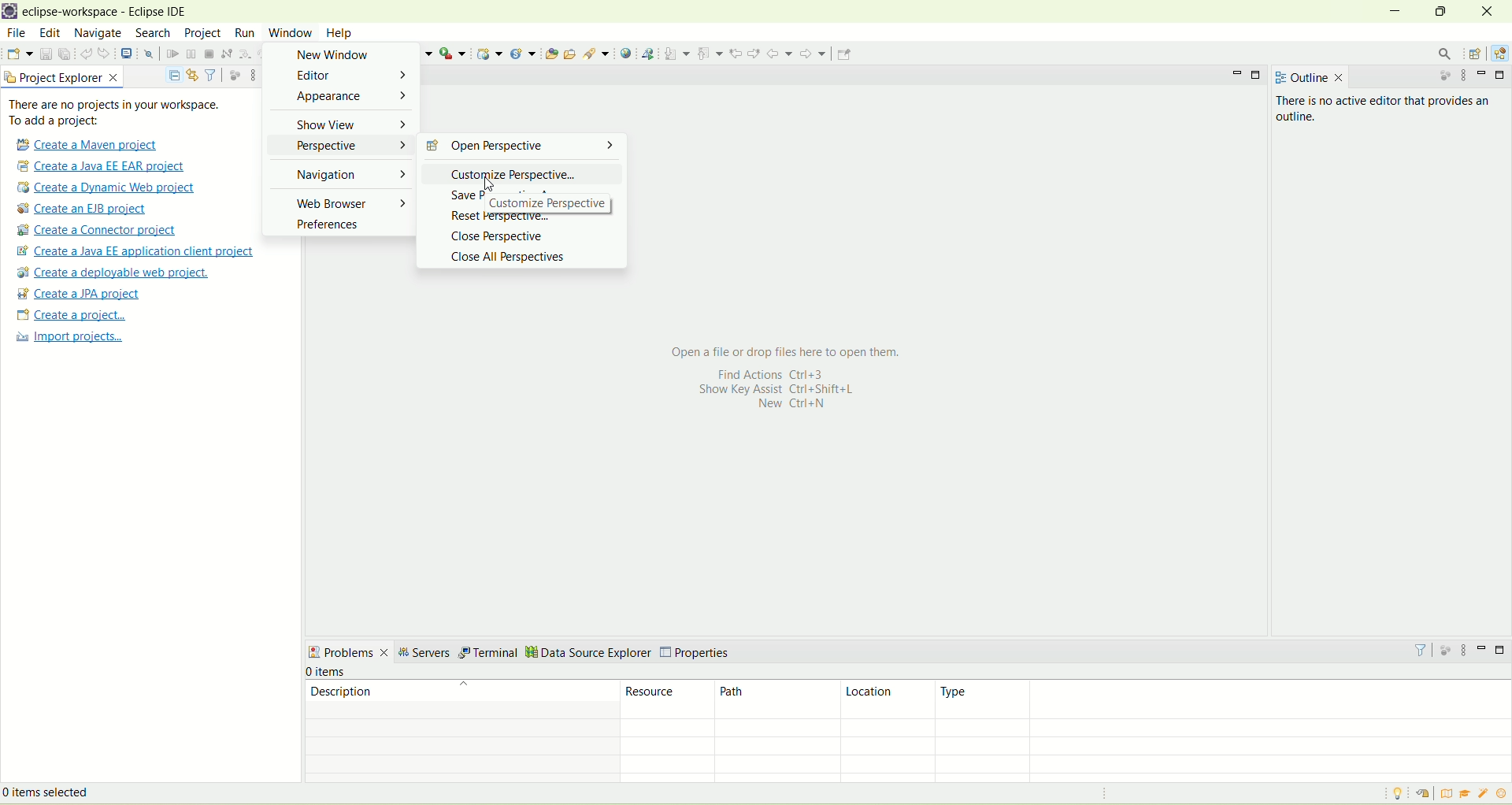 The width and height of the screenshot is (1512, 805). I want to click on minimize, so click(1395, 9).